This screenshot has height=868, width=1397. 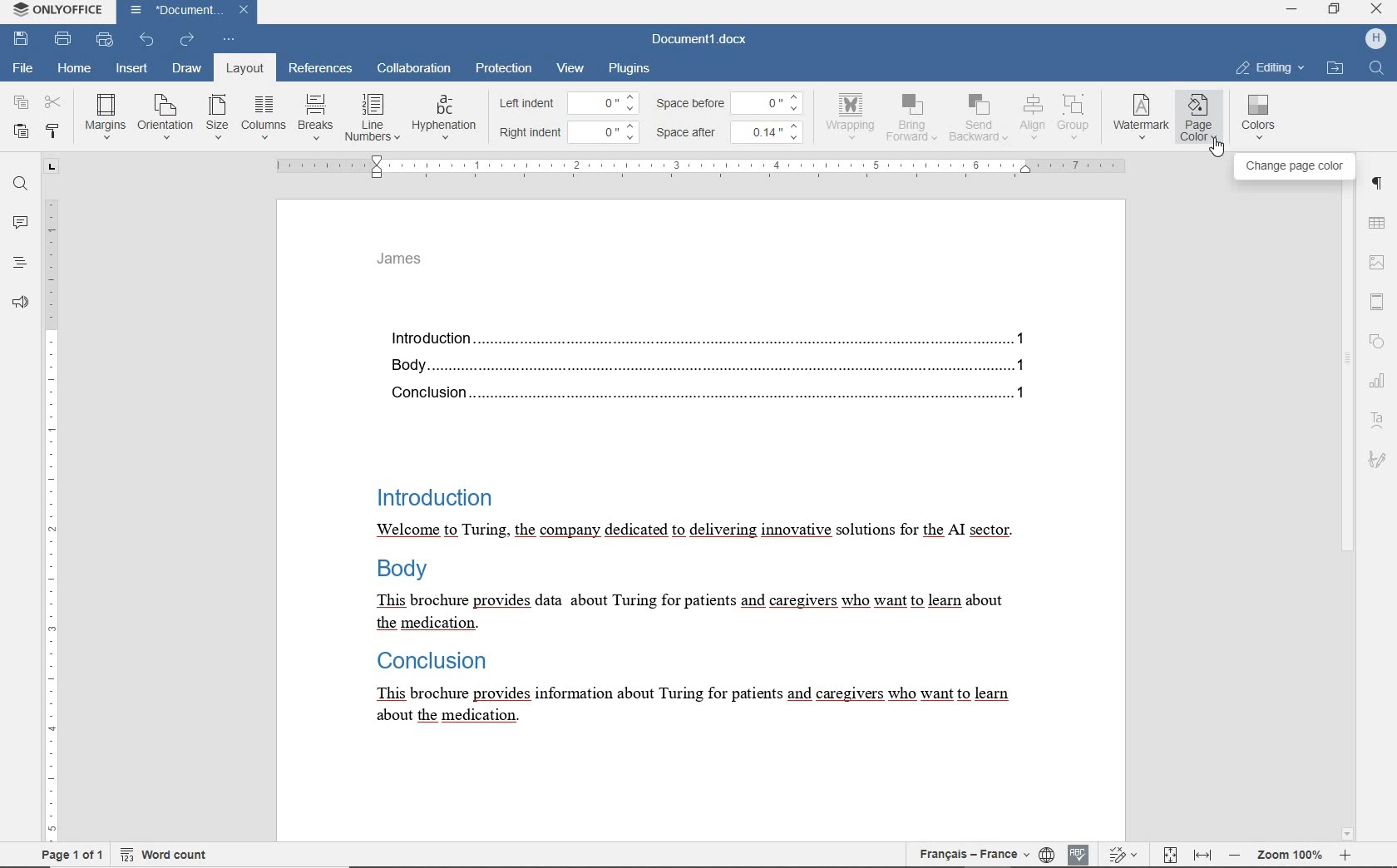 What do you see at coordinates (1291, 9) in the screenshot?
I see `minimize` at bounding box center [1291, 9].